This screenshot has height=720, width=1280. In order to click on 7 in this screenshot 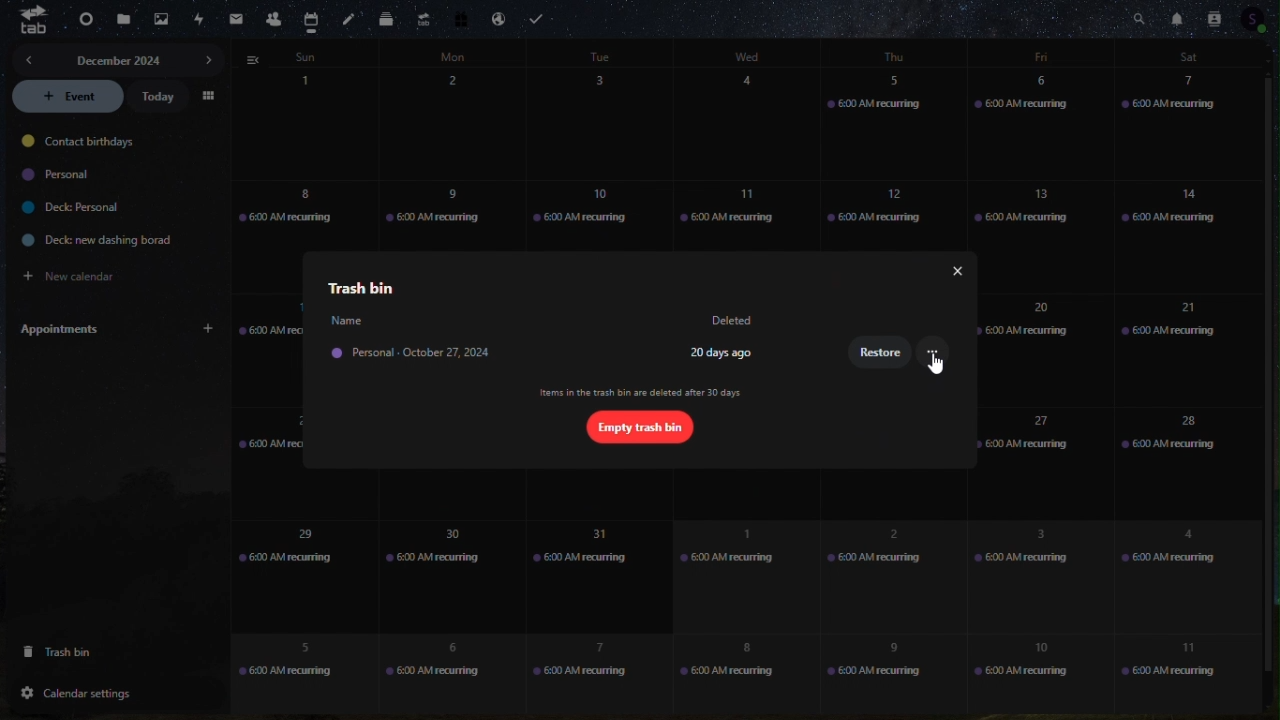, I will do `click(586, 672)`.